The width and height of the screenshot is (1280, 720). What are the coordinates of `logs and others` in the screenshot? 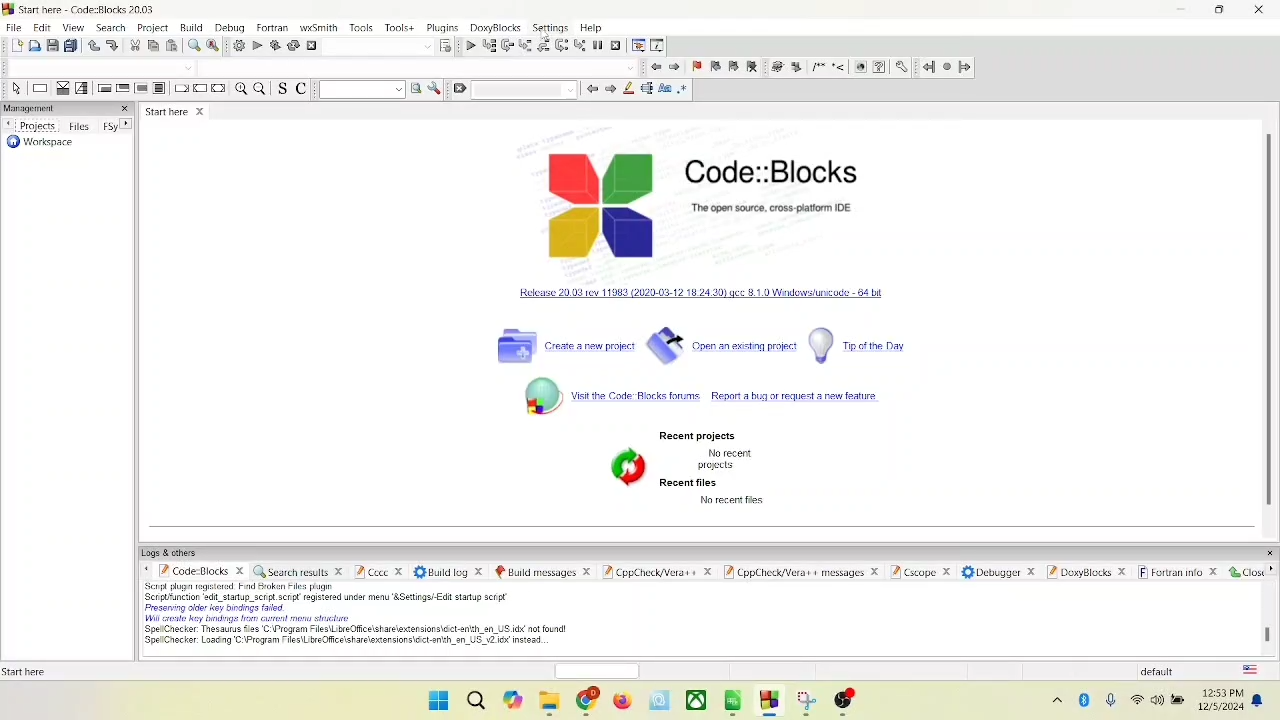 It's located at (175, 553).